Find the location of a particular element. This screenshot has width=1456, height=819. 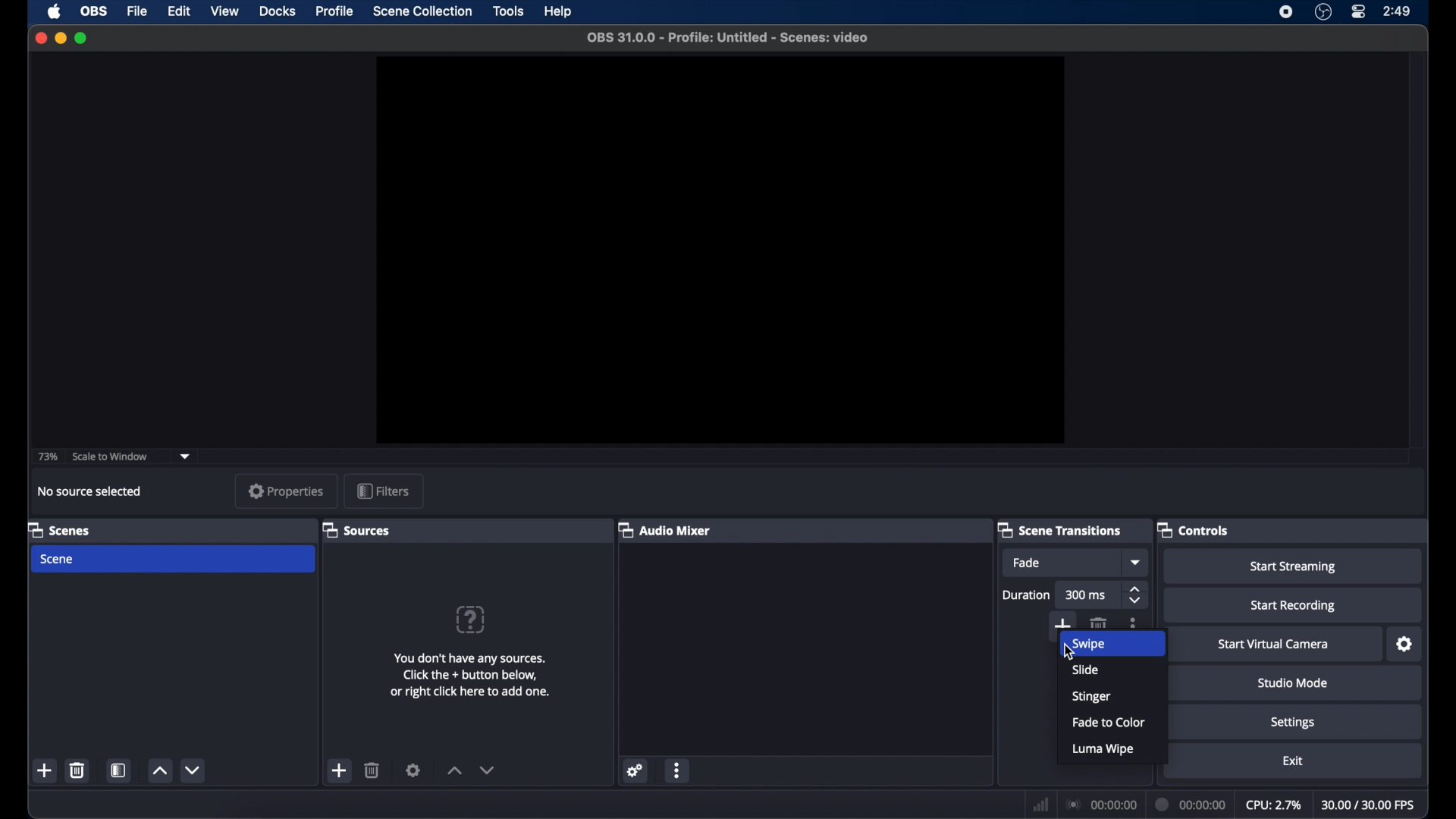

preview is located at coordinates (720, 250).